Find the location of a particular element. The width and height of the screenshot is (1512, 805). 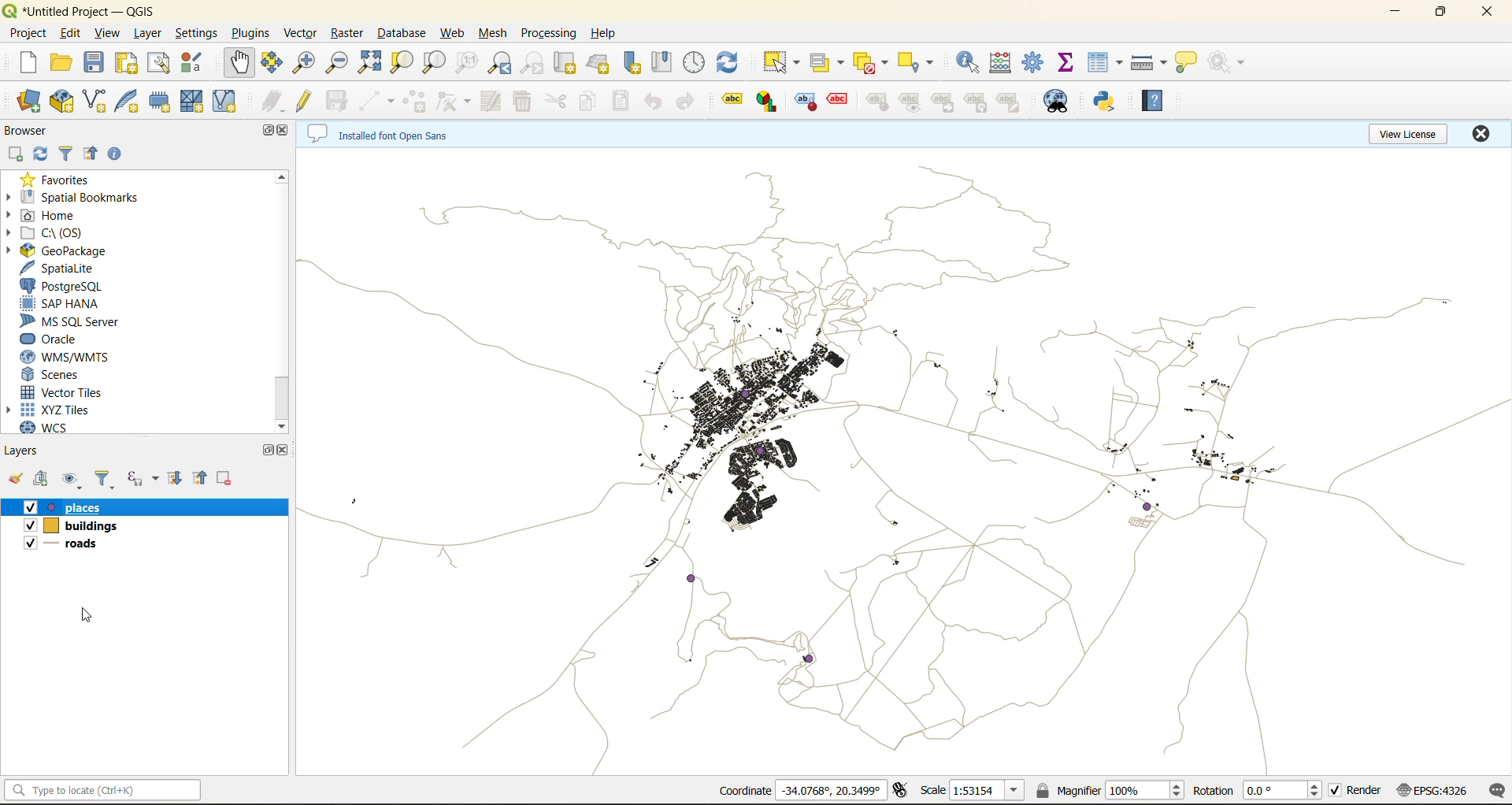

zoom layer is located at coordinates (435, 65).